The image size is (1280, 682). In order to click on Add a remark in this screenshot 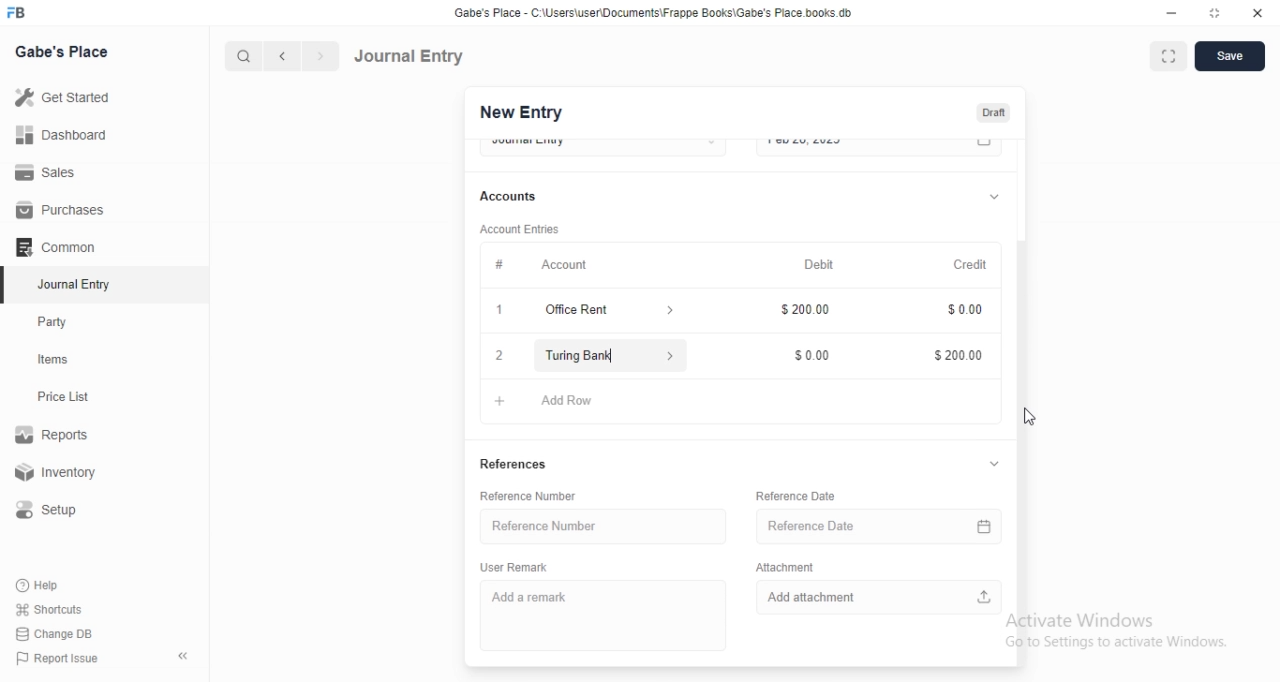, I will do `click(538, 596)`.